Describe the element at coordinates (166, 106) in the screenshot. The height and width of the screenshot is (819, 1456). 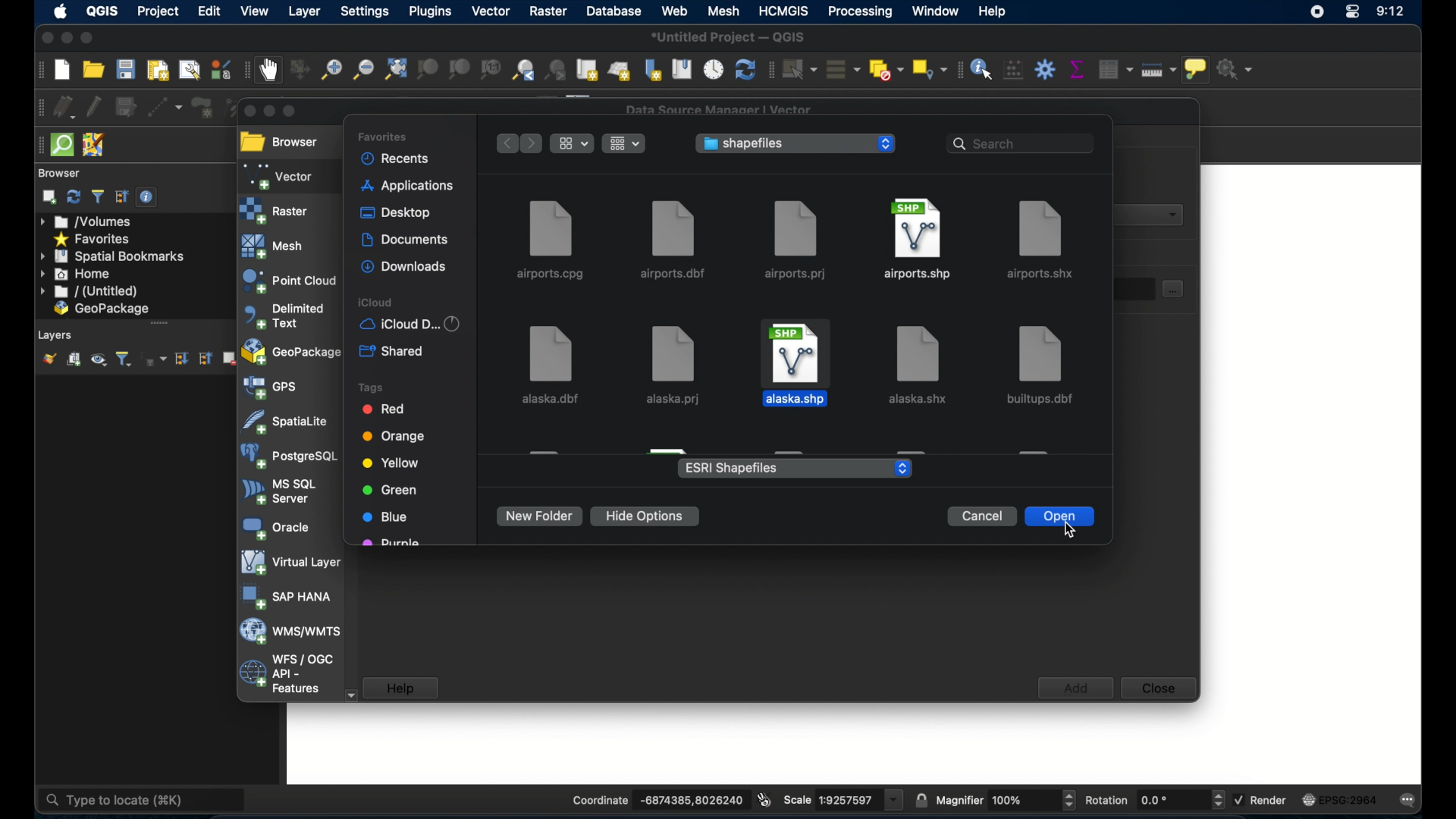
I see `digitize with segment` at that location.